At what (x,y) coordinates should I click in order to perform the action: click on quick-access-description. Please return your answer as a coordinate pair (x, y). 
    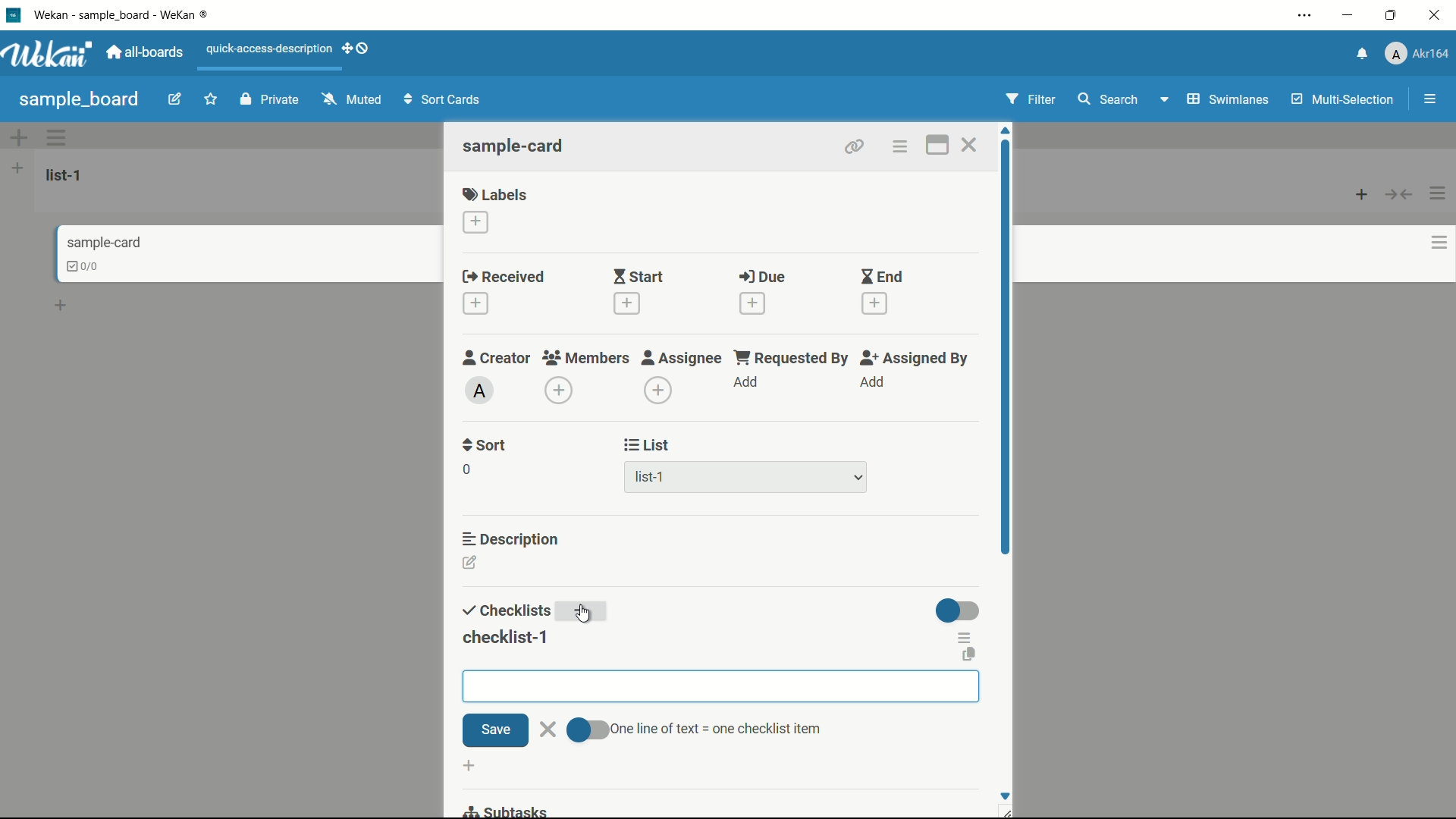
    Looking at the image, I should click on (270, 49).